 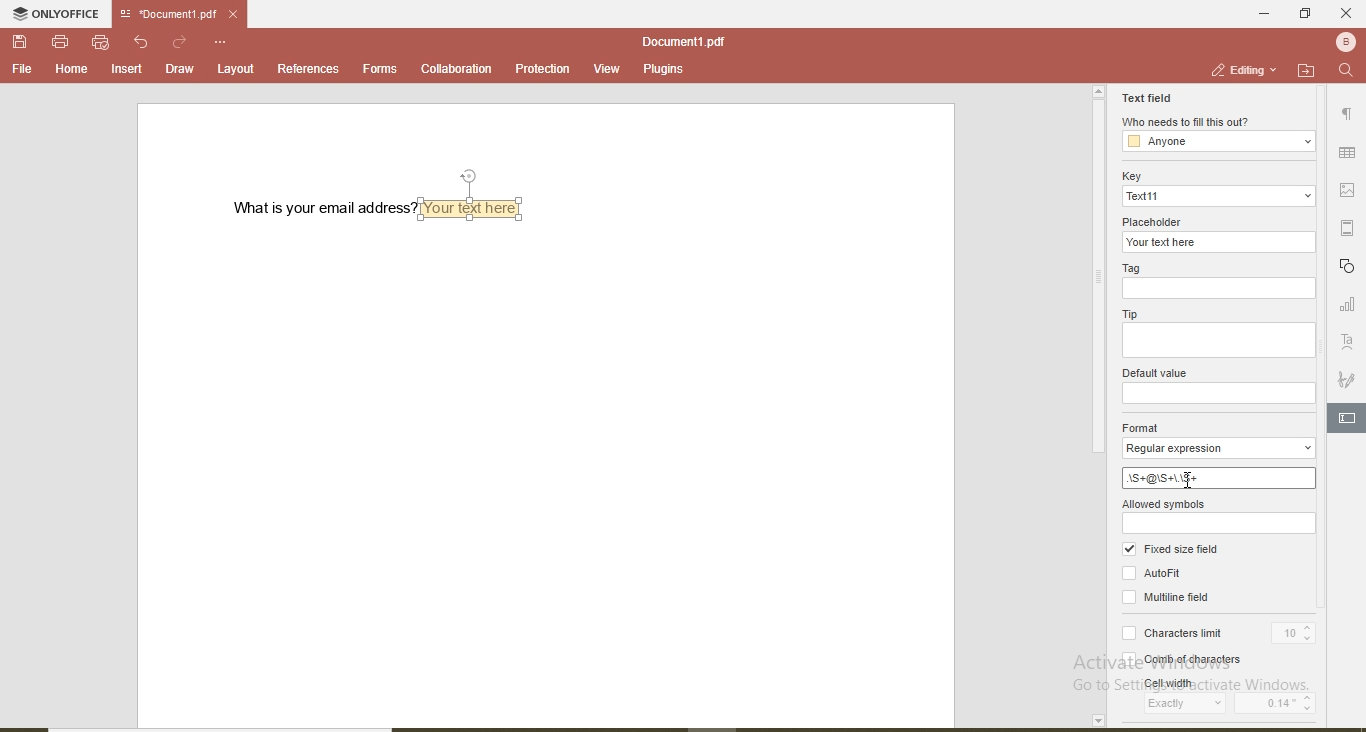 What do you see at coordinates (1348, 154) in the screenshot?
I see `table` at bounding box center [1348, 154].